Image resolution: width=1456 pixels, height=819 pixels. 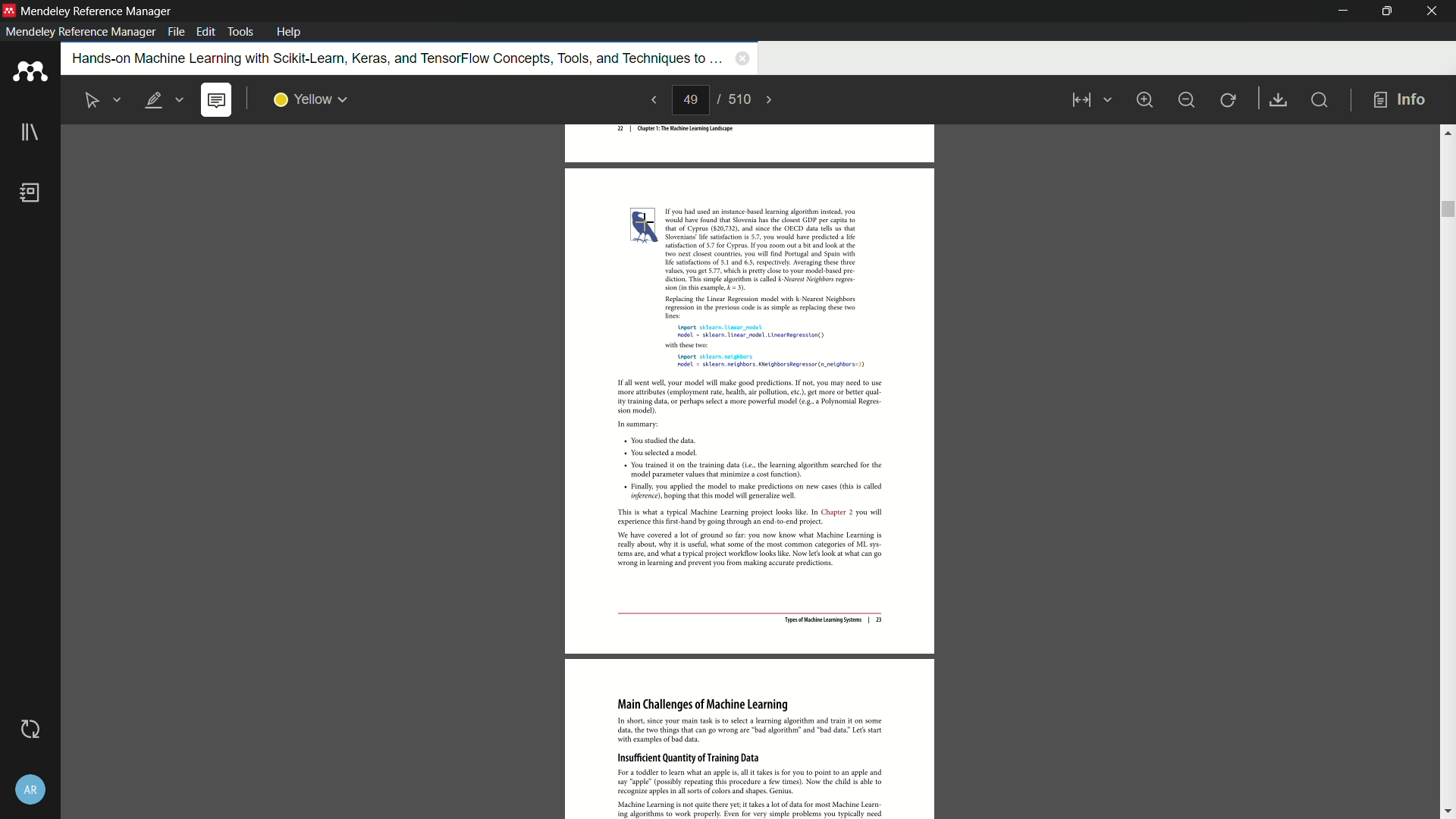 I want to click on library, so click(x=29, y=134).